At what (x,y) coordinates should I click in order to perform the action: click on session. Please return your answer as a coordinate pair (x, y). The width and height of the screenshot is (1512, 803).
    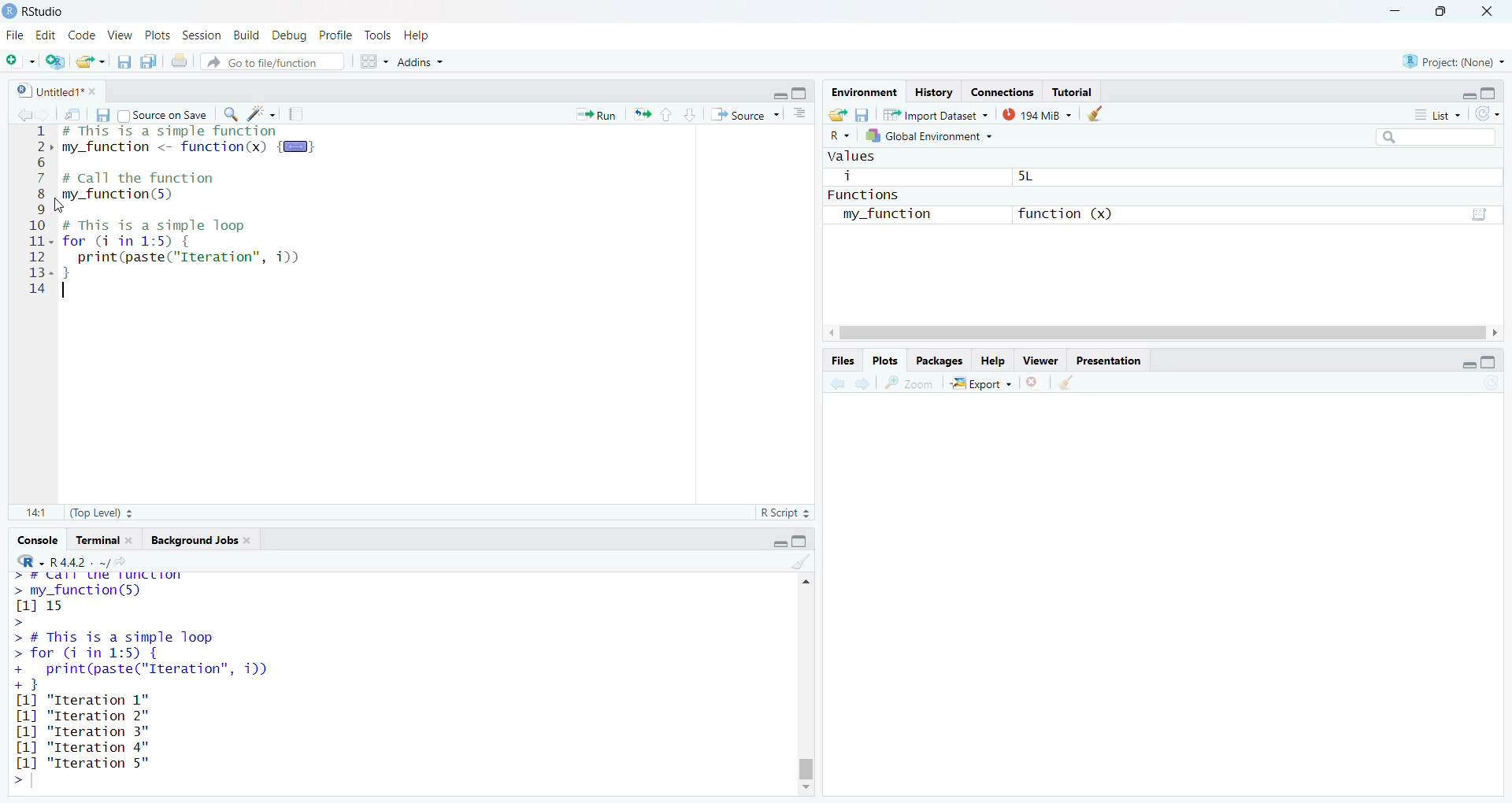
    Looking at the image, I should click on (200, 33).